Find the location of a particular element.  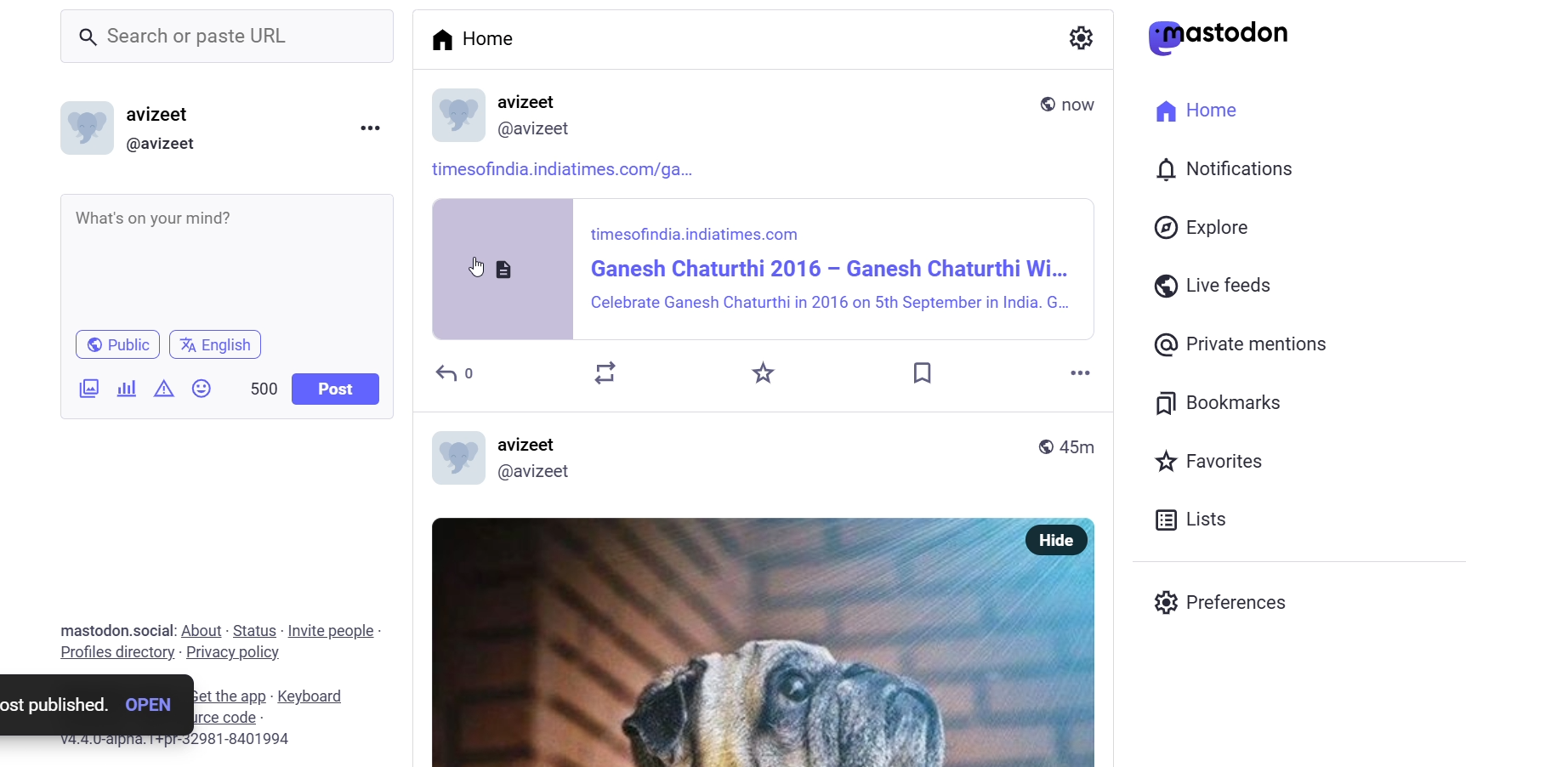

Live feeds is located at coordinates (1249, 287).